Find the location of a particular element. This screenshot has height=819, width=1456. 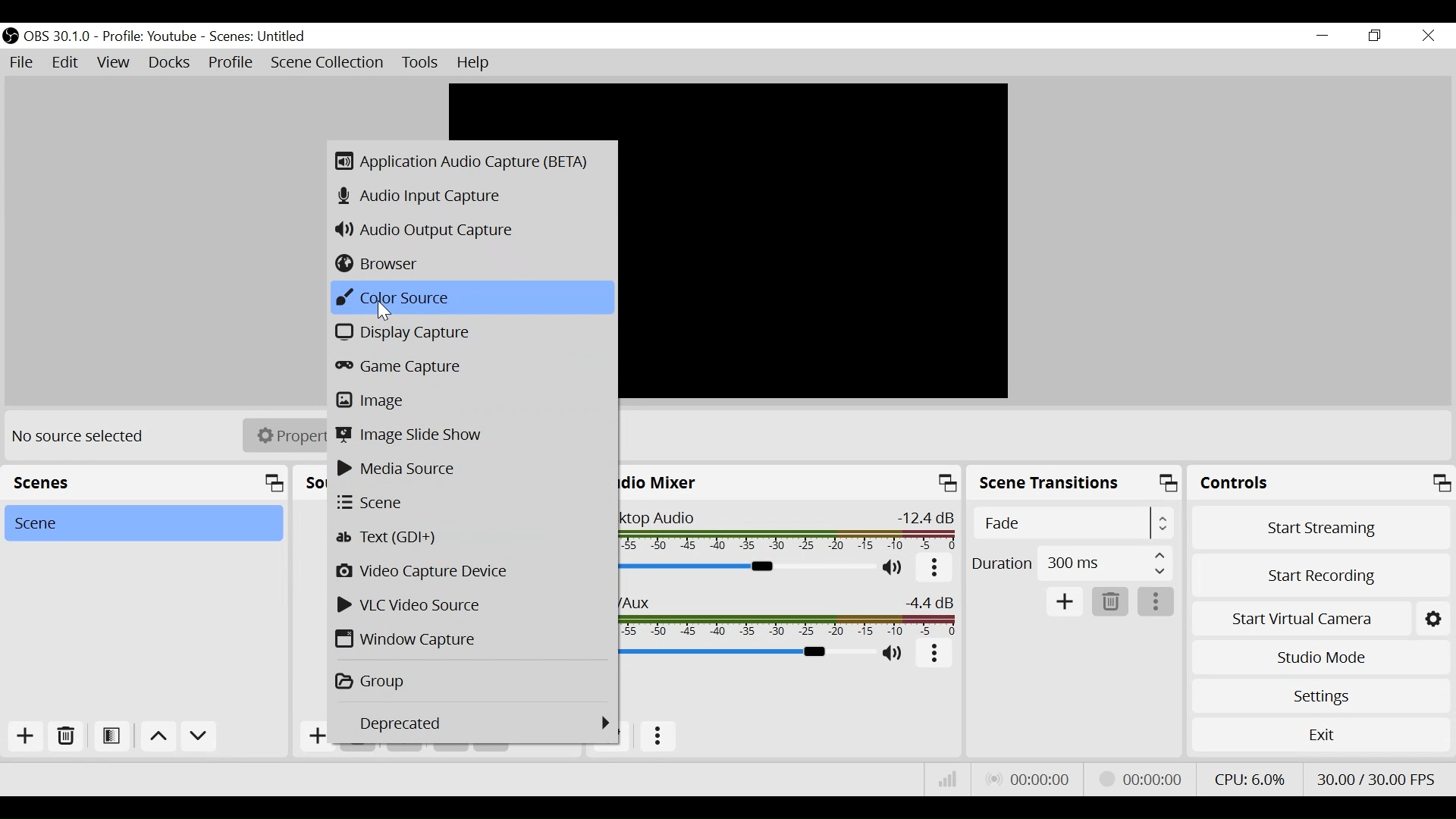

Profile is located at coordinates (149, 36).